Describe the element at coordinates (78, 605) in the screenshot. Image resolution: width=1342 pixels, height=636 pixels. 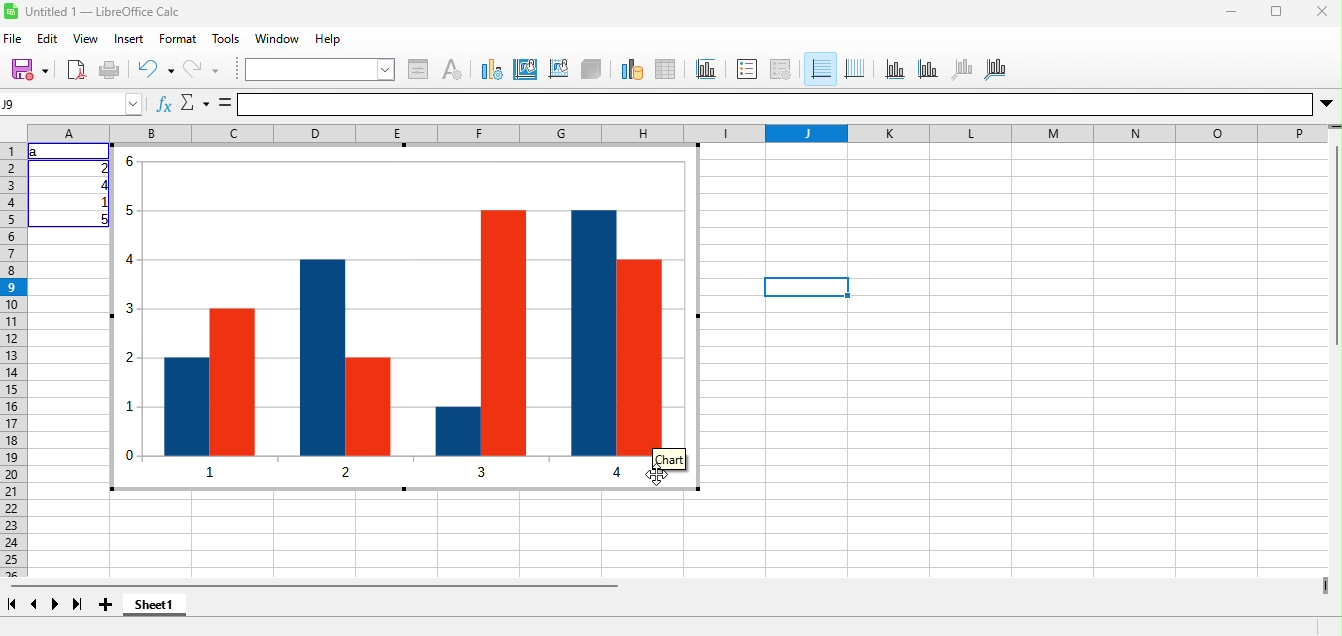
I see `last sheet` at that location.